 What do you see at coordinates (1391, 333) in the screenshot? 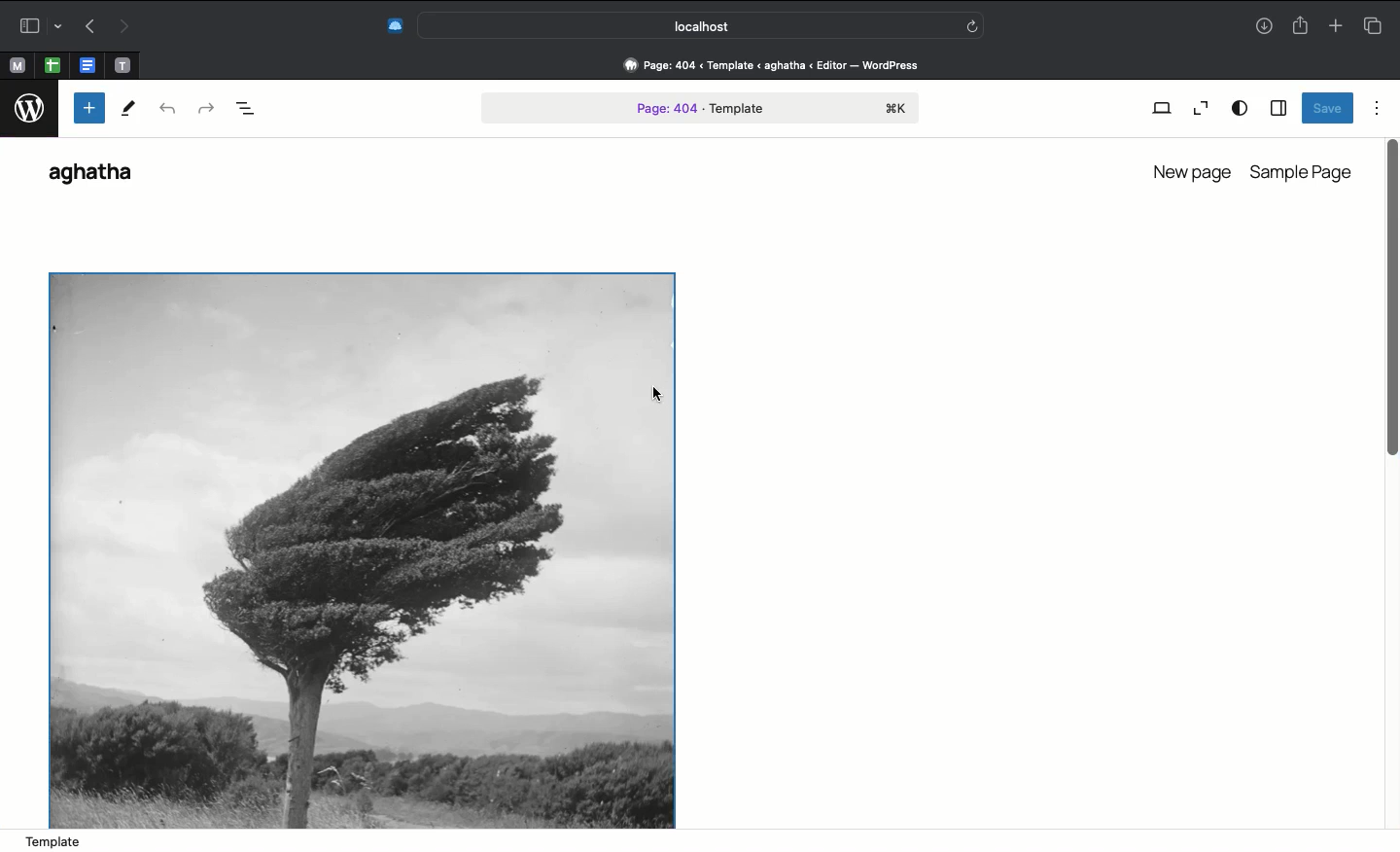
I see `Scrollbar` at bounding box center [1391, 333].